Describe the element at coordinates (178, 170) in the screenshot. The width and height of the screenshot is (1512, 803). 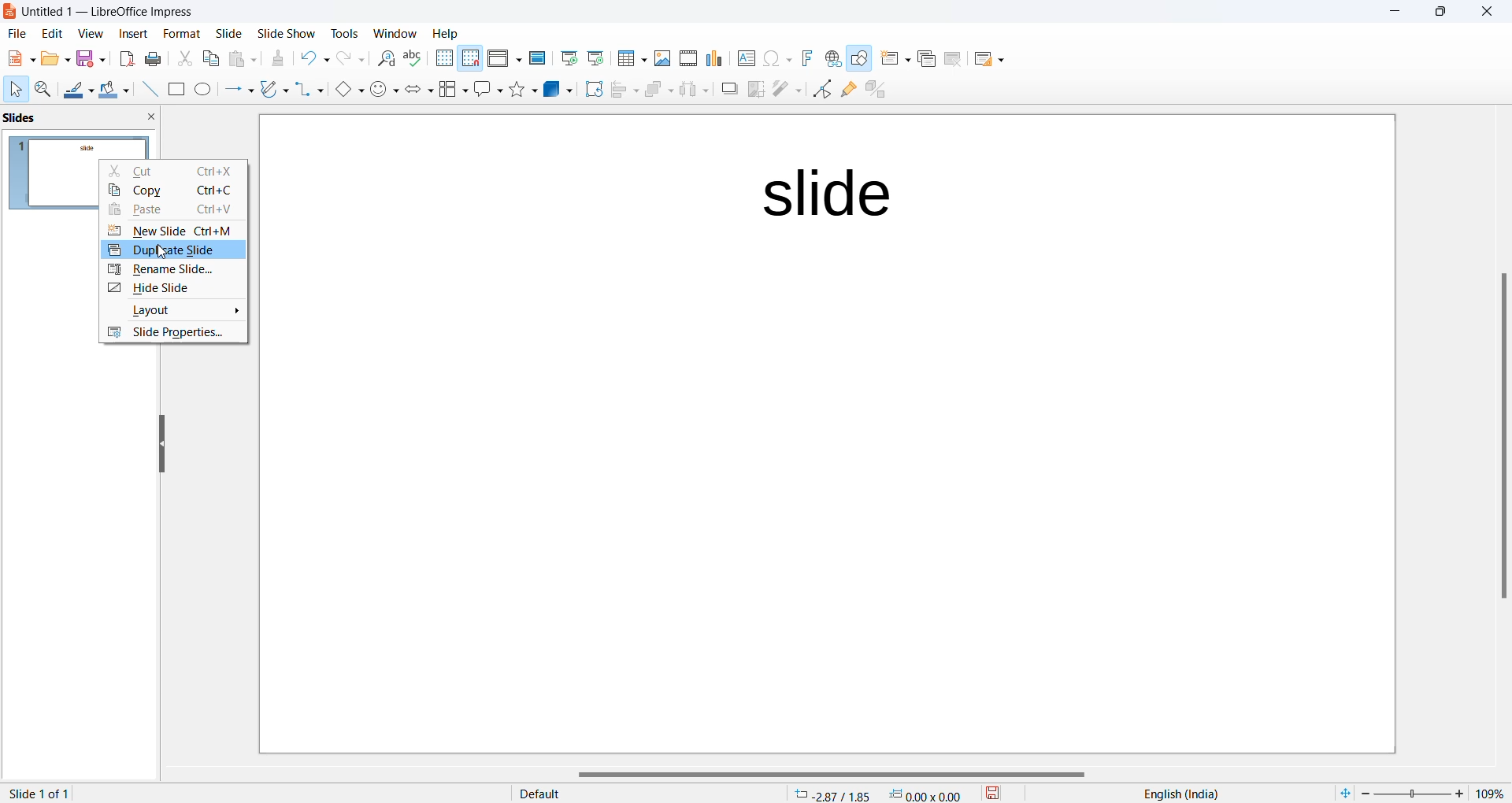
I see `Cut` at that location.